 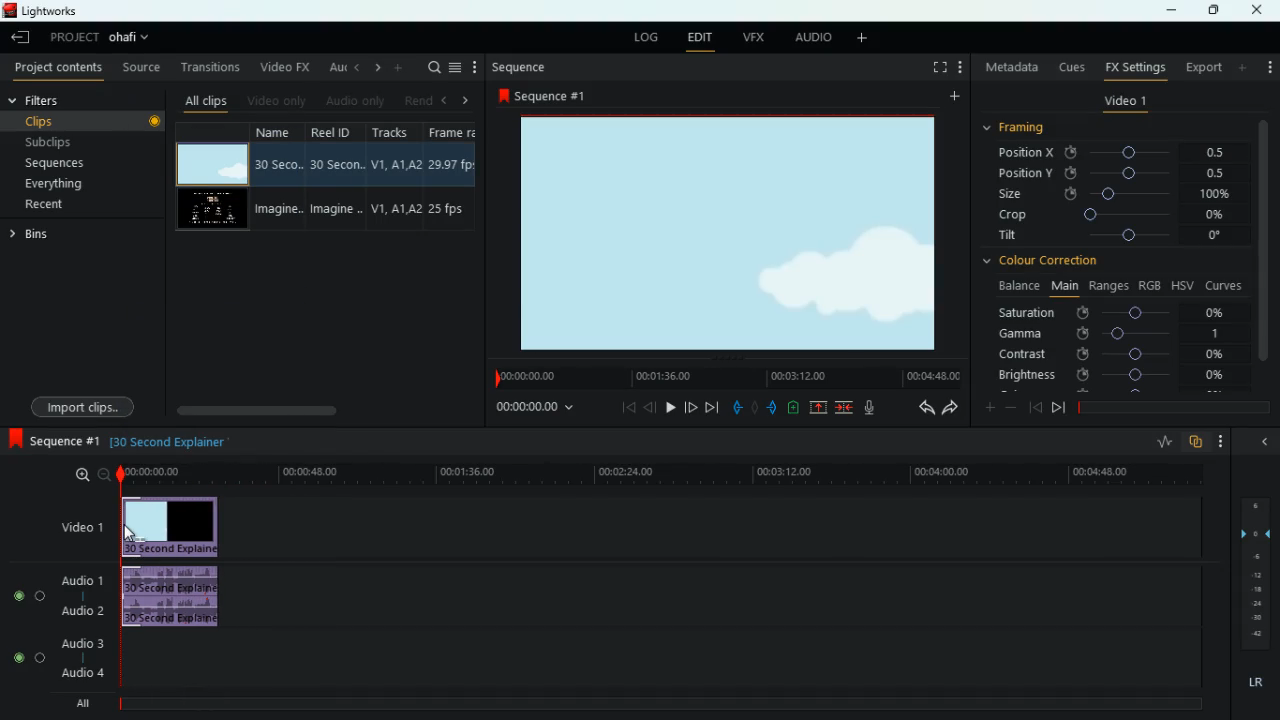 What do you see at coordinates (812, 39) in the screenshot?
I see `audio` at bounding box center [812, 39].